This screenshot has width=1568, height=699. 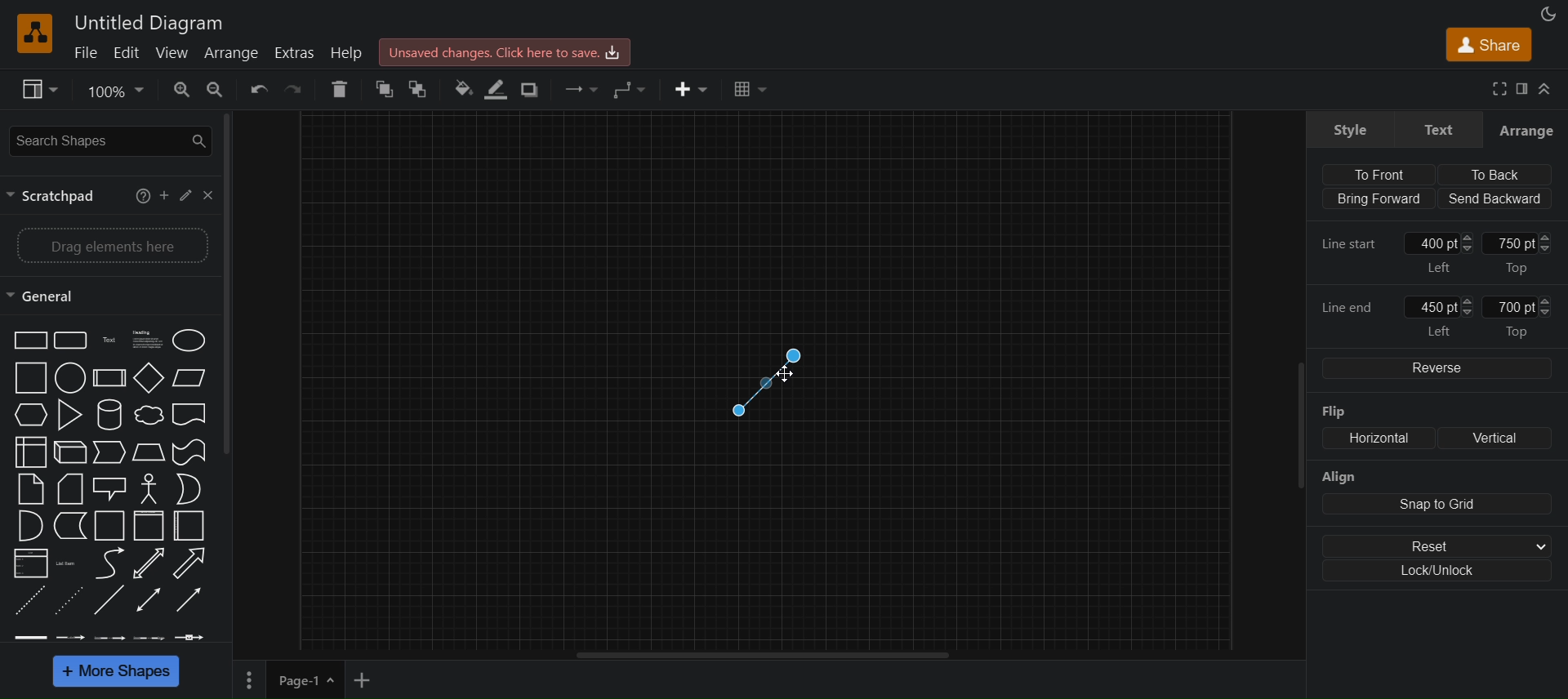 I want to click on insert, so click(x=692, y=89).